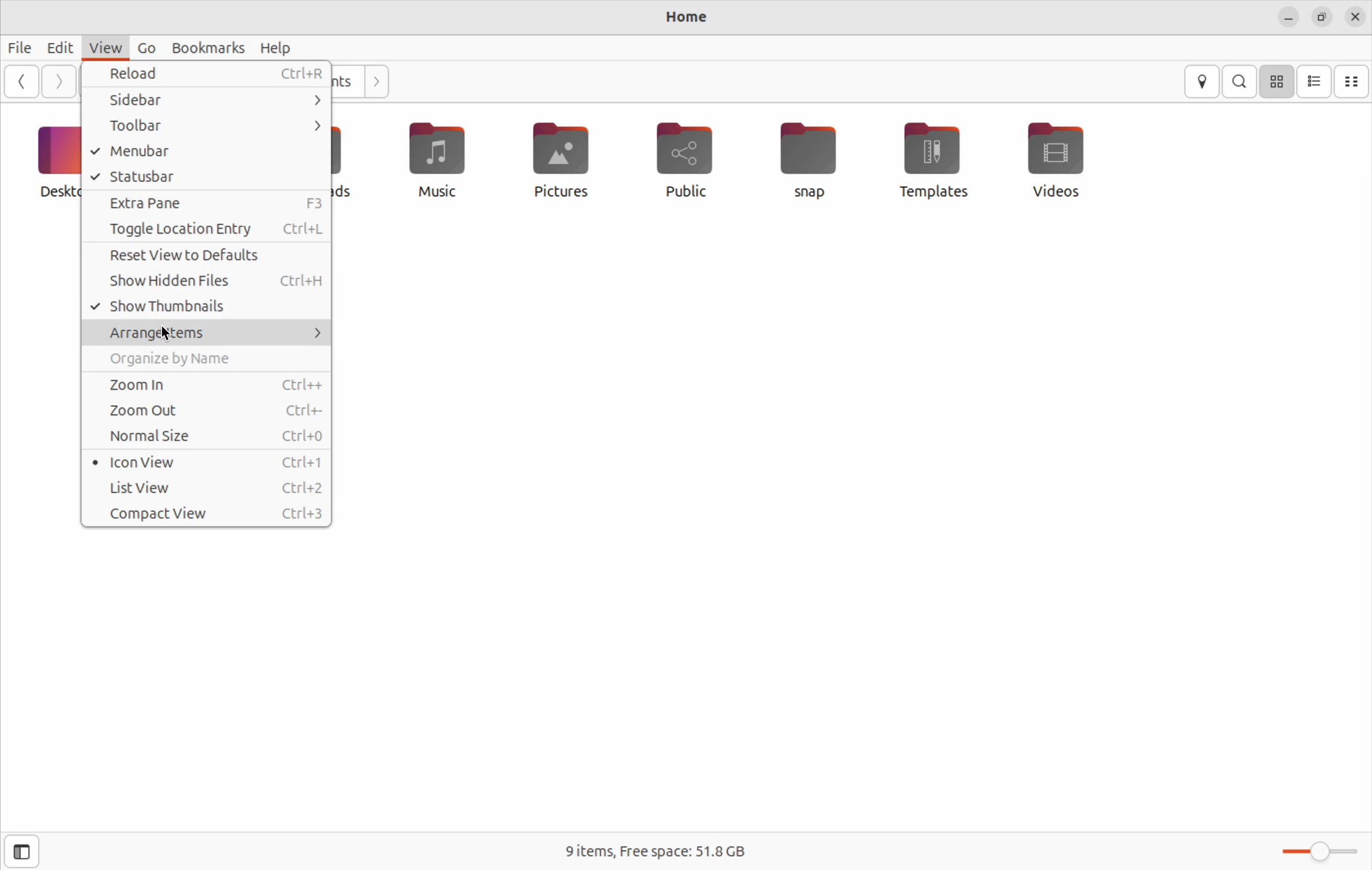 This screenshot has width=1372, height=870. What do you see at coordinates (206, 177) in the screenshot?
I see `stautsbar` at bounding box center [206, 177].